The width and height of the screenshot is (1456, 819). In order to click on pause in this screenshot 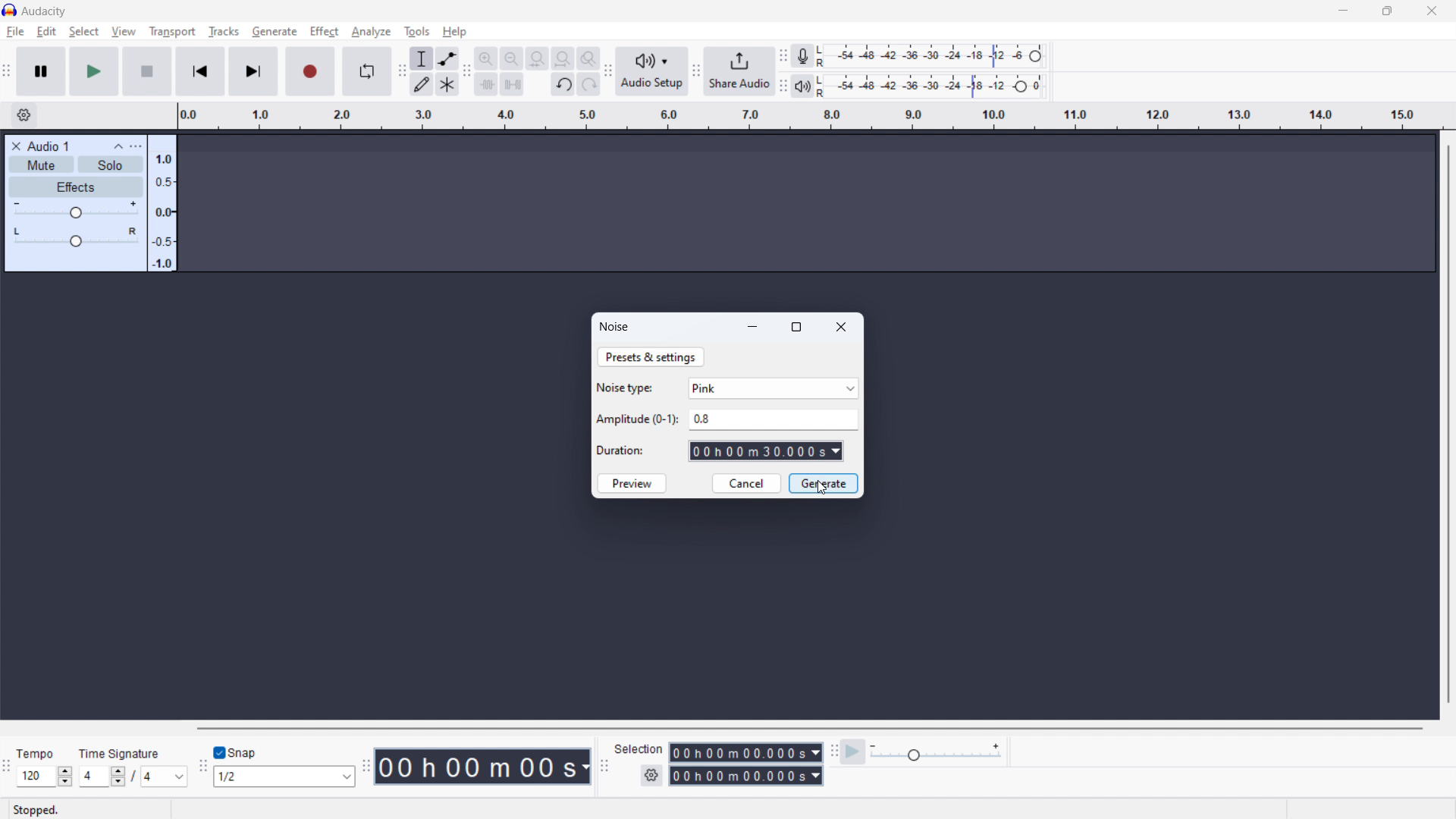, I will do `click(41, 71)`.